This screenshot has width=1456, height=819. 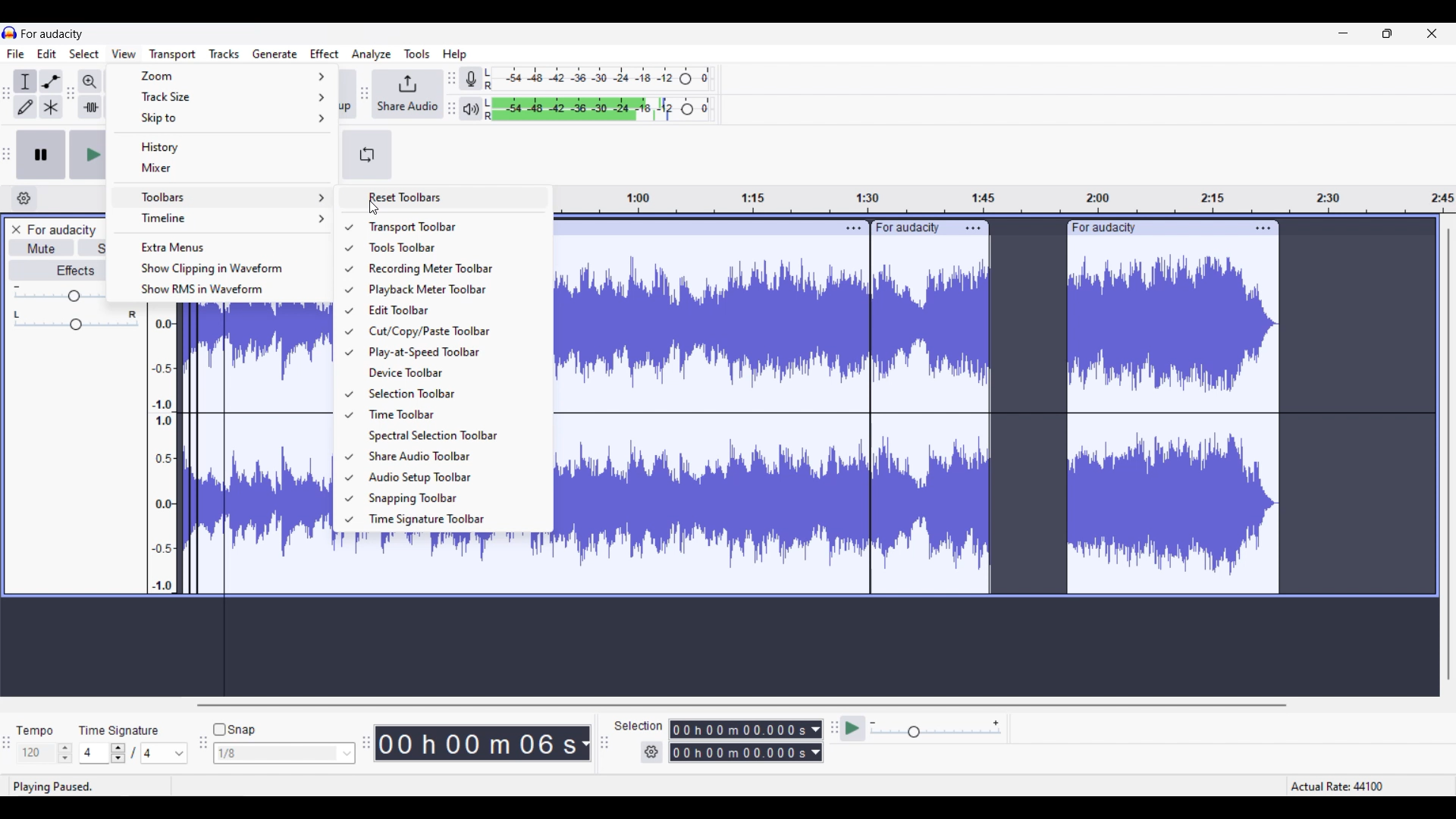 What do you see at coordinates (224, 246) in the screenshot?
I see `Extra menus` at bounding box center [224, 246].